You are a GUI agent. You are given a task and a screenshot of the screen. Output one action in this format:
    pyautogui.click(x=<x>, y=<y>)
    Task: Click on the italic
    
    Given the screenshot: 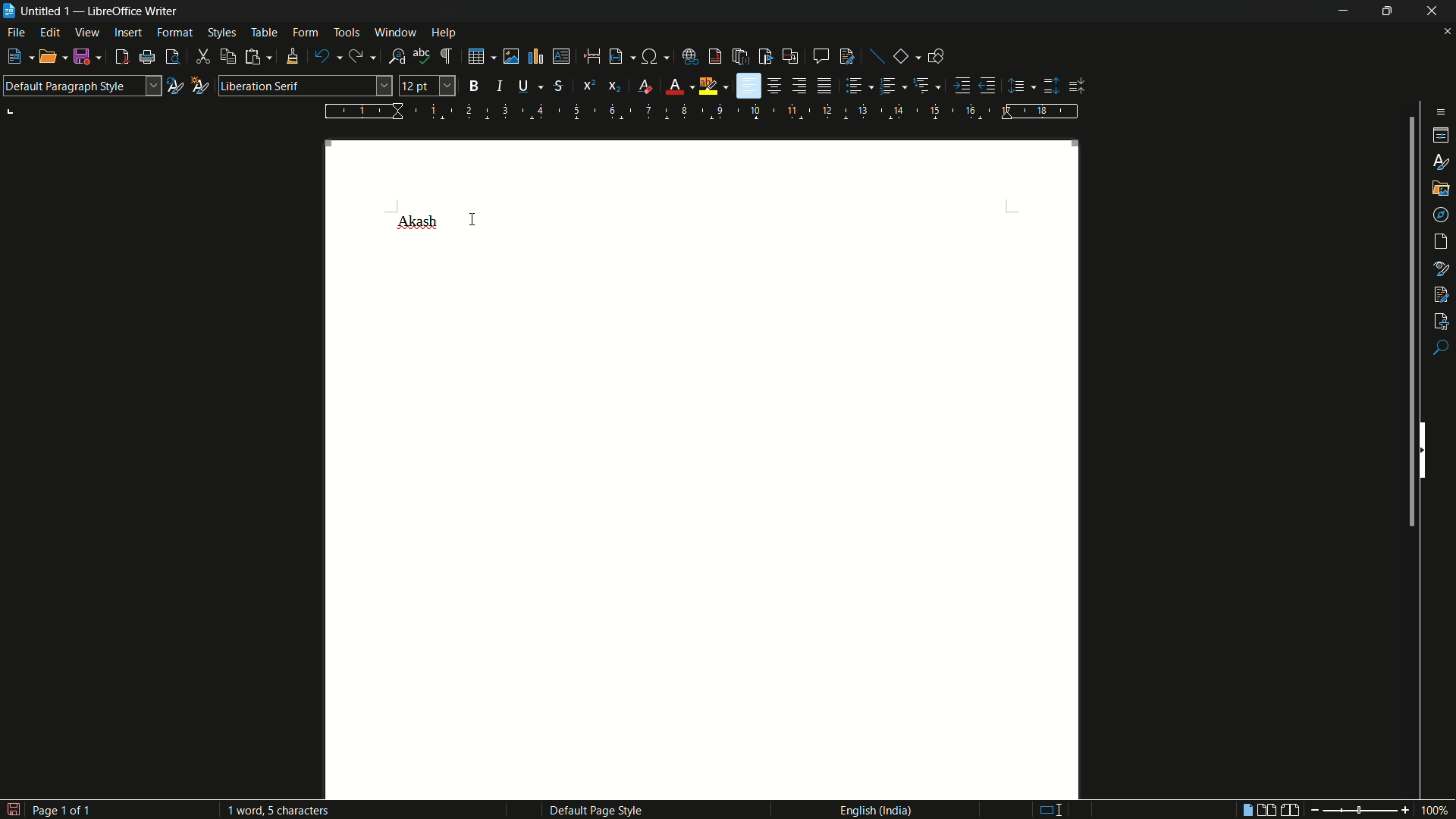 What is the action you would take?
    pyautogui.click(x=504, y=86)
    